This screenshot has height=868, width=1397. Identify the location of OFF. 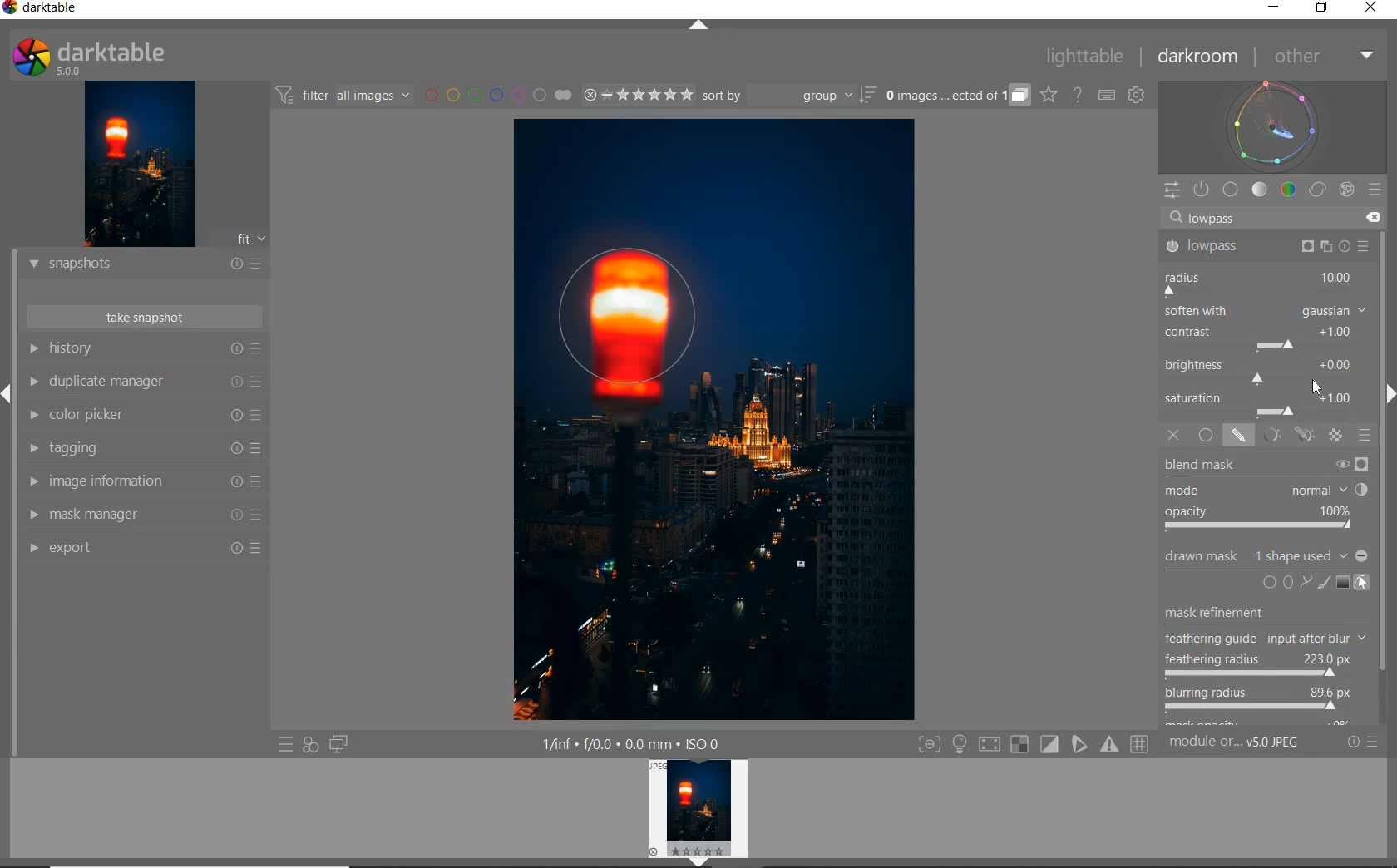
(1173, 436).